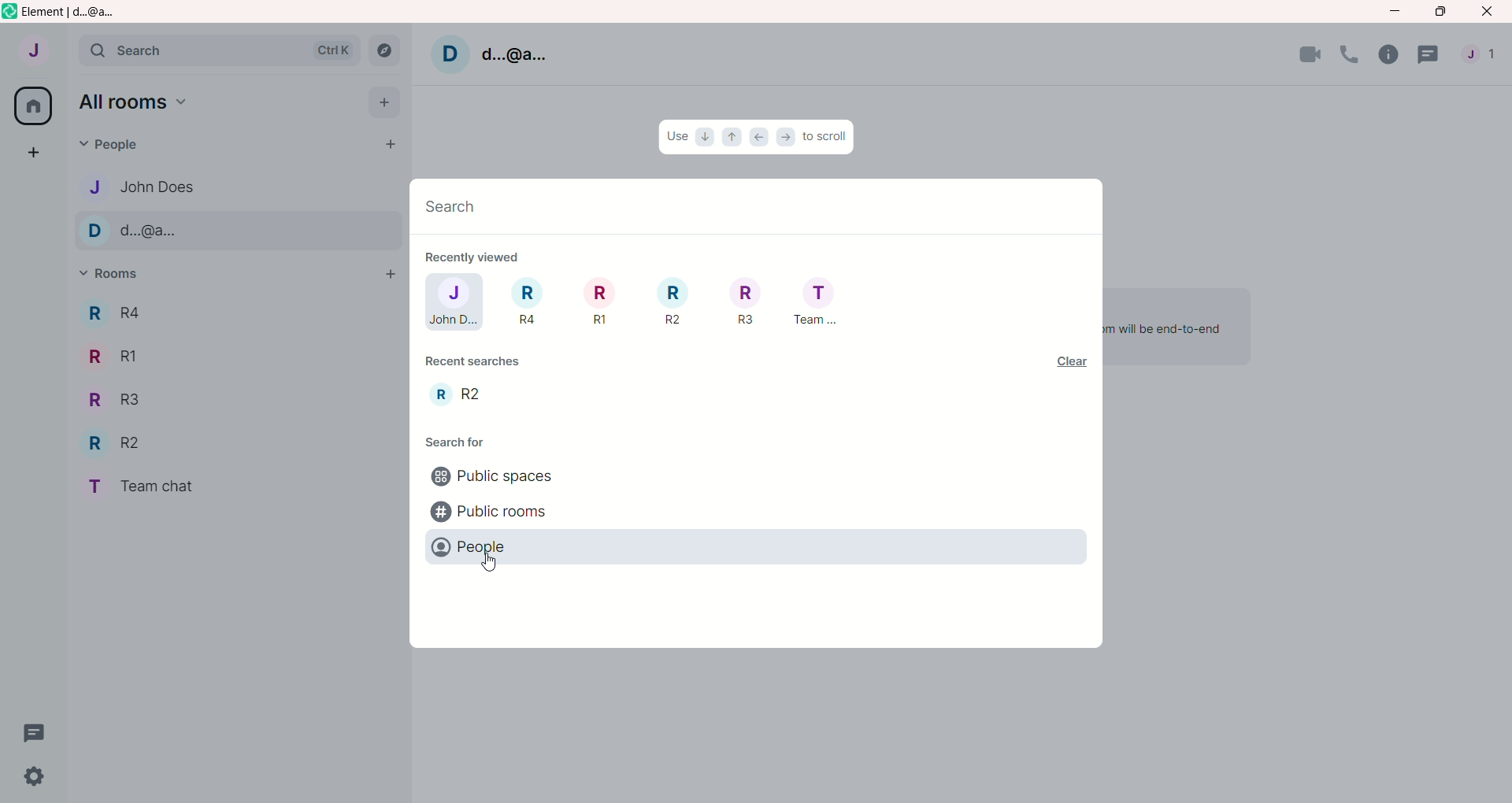  What do you see at coordinates (108, 146) in the screenshot?
I see `people` at bounding box center [108, 146].